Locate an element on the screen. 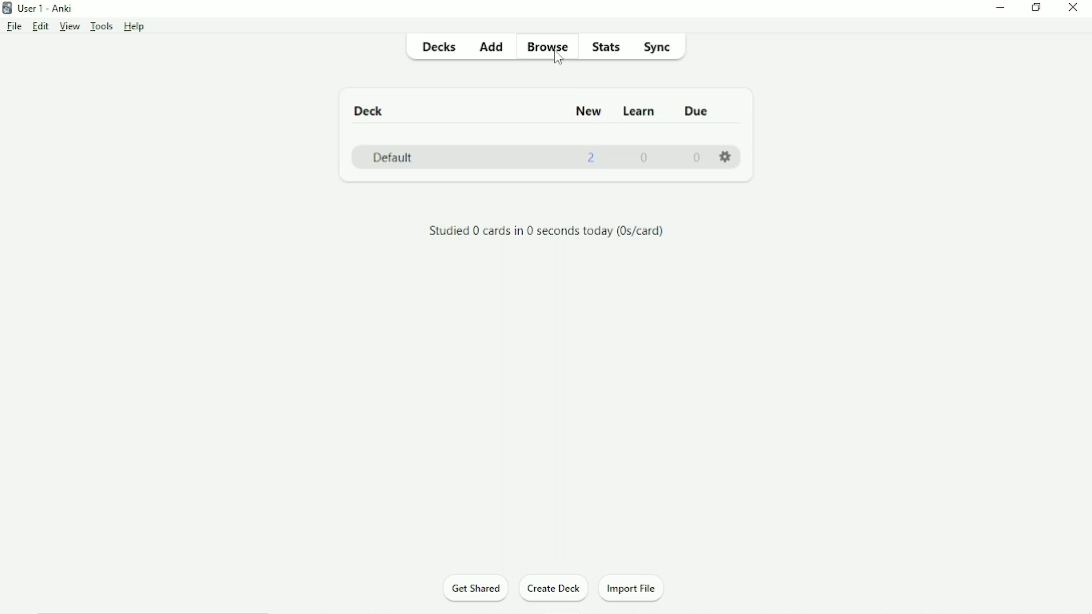 This screenshot has height=614, width=1092. Learn is located at coordinates (641, 112).